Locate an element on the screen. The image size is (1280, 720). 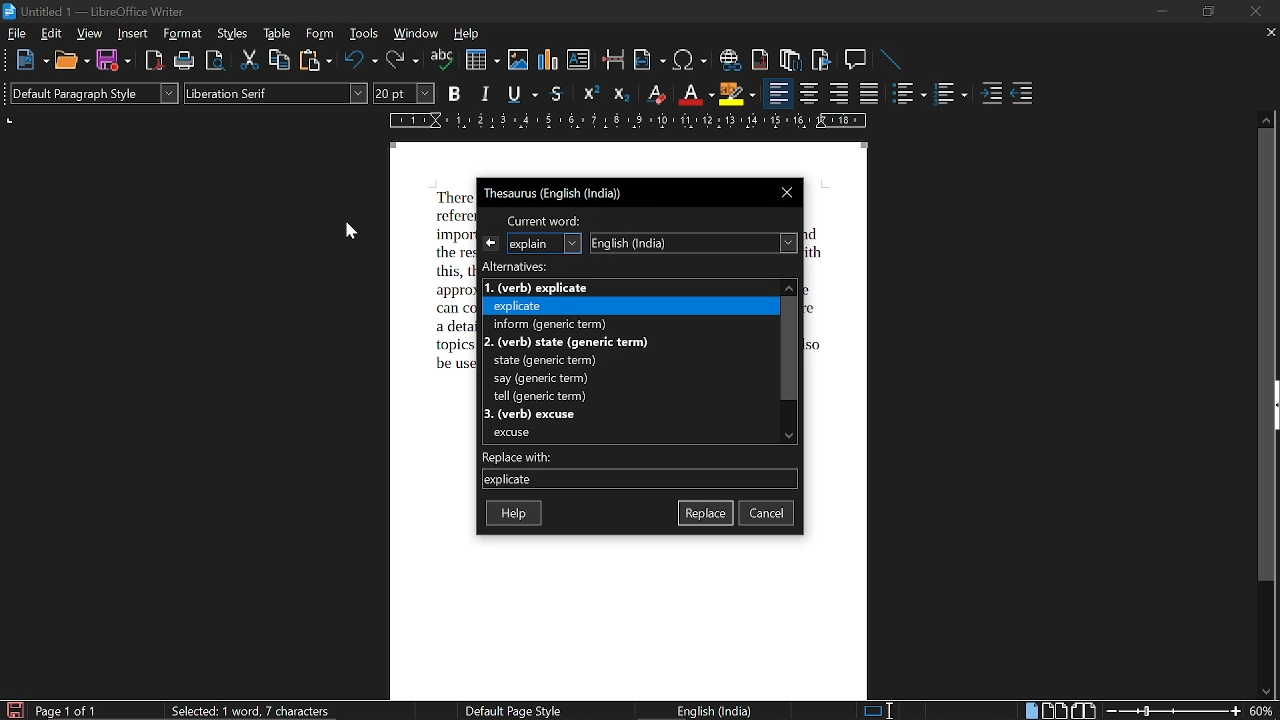
table is located at coordinates (276, 34).